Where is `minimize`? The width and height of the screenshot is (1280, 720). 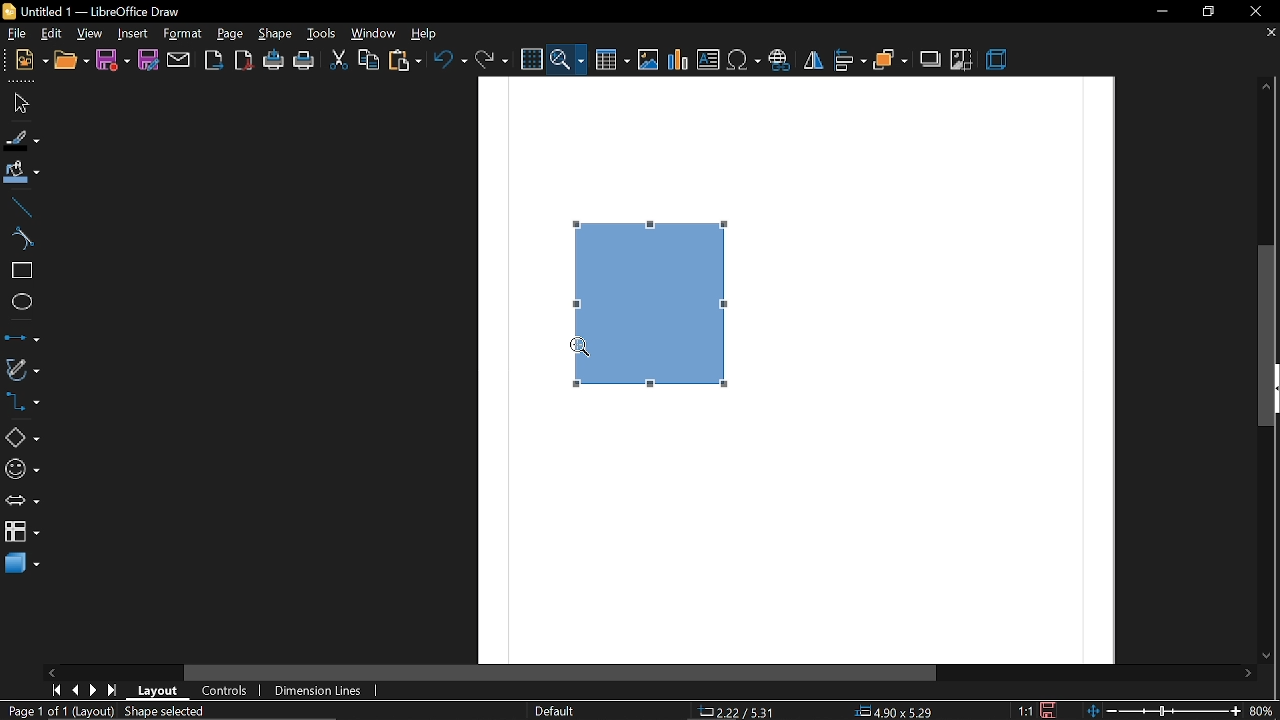
minimize is located at coordinates (1161, 13).